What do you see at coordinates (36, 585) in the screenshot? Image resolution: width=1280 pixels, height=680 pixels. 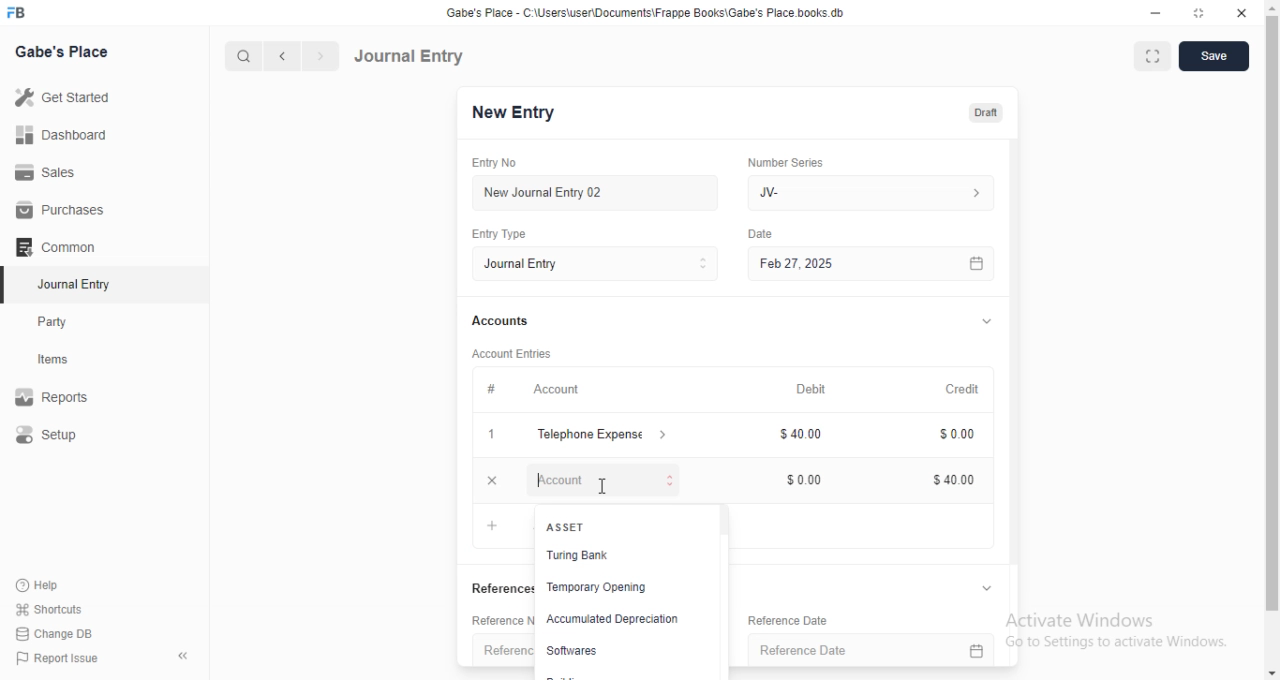 I see `Help` at bounding box center [36, 585].